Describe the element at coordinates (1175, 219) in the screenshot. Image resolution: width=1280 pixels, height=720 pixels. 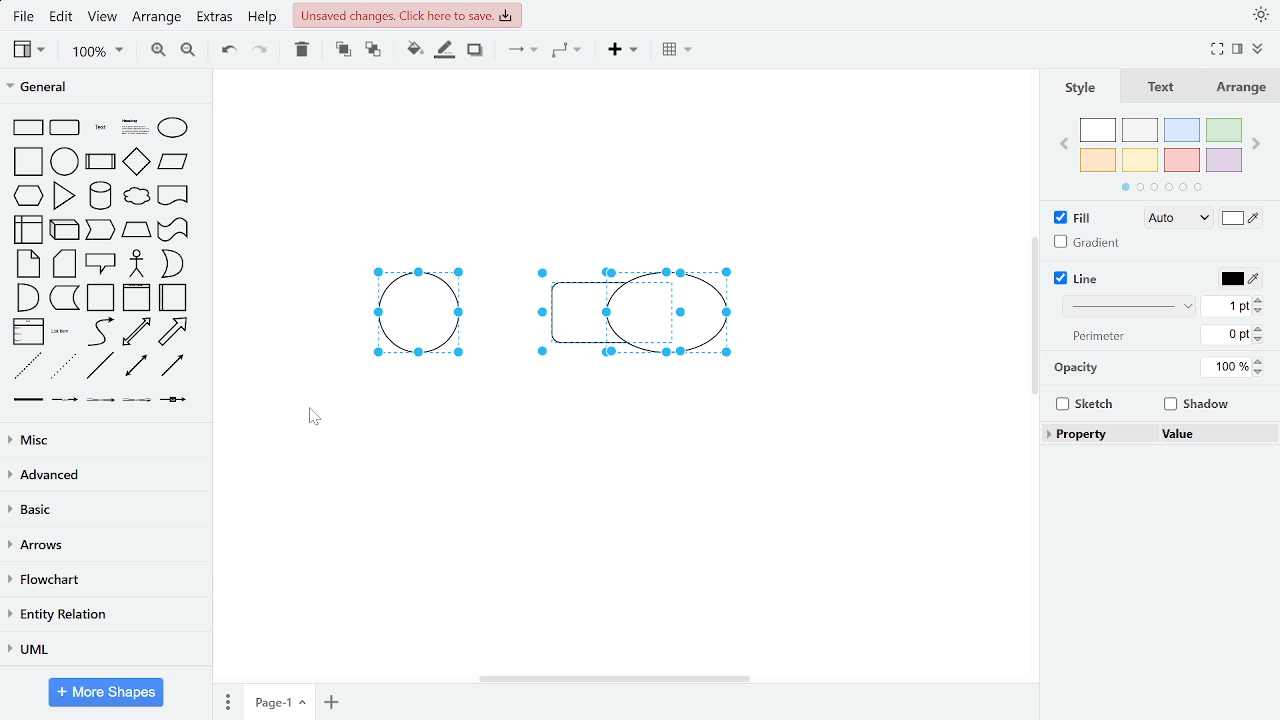
I see `fill style` at that location.